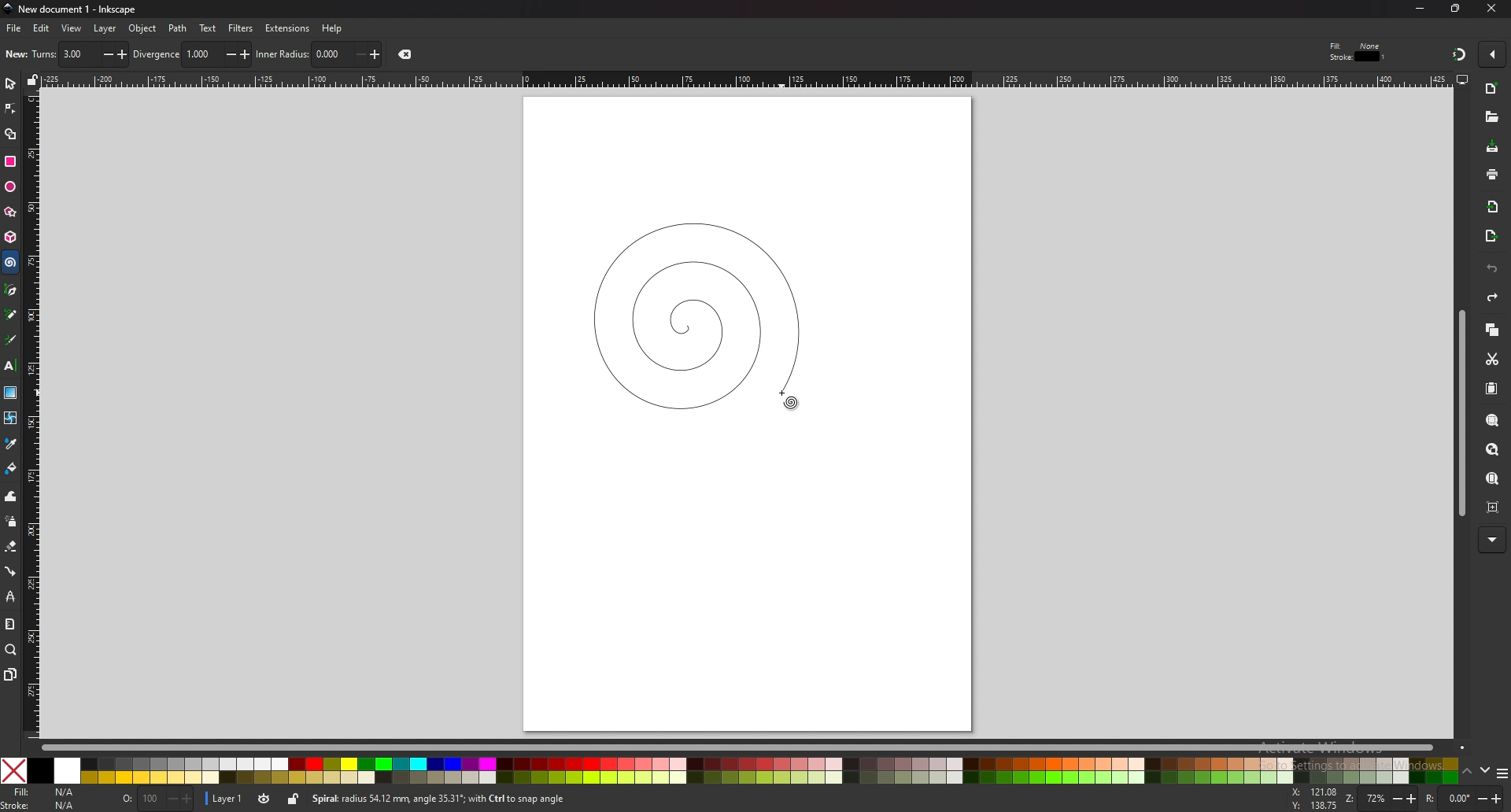 This screenshot has height=812, width=1511. Describe the element at coordinates (10, 238) in the screenshot. I see `3d box` at that location.